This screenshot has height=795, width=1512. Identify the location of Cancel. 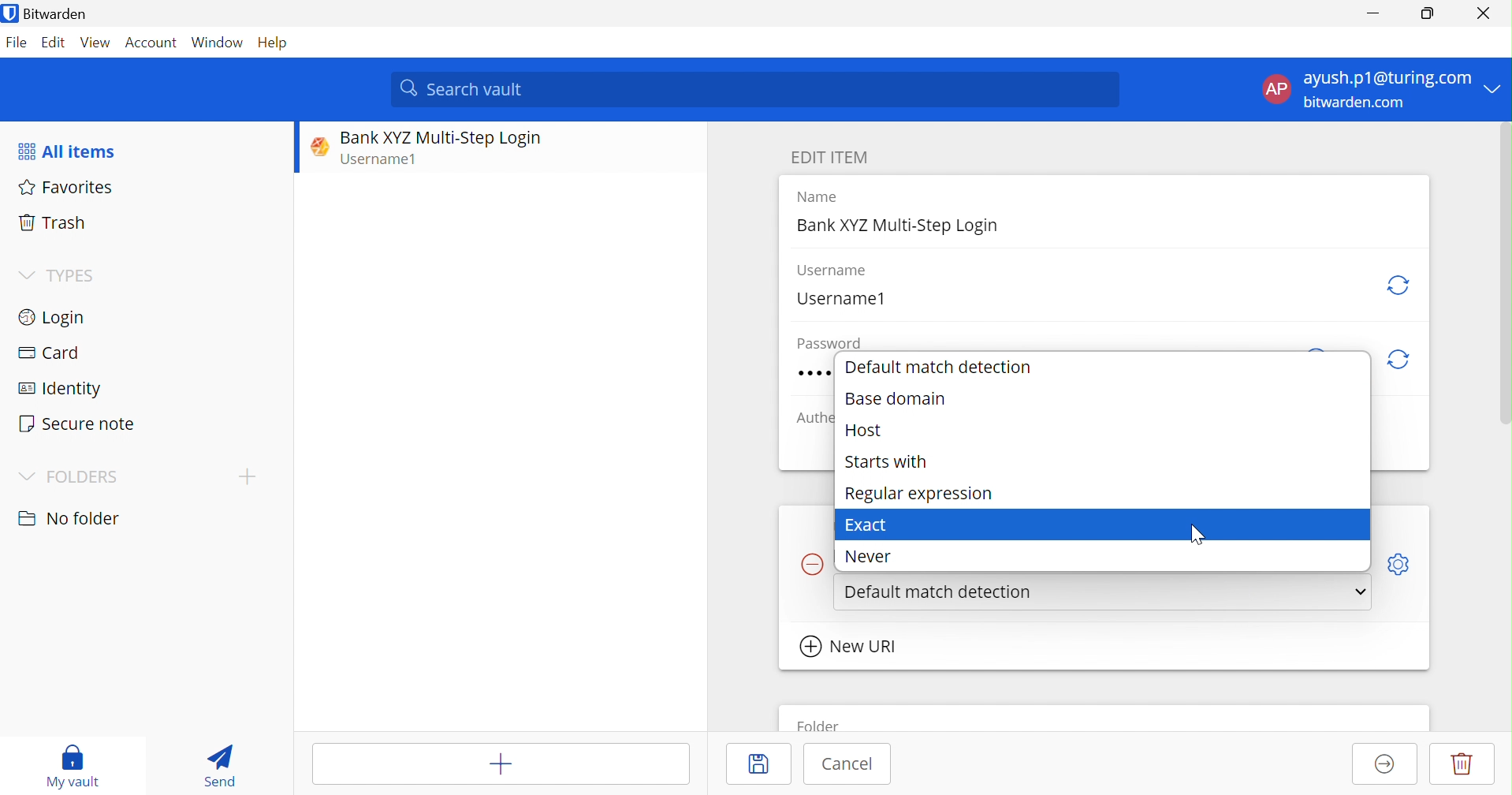
(847, 763).